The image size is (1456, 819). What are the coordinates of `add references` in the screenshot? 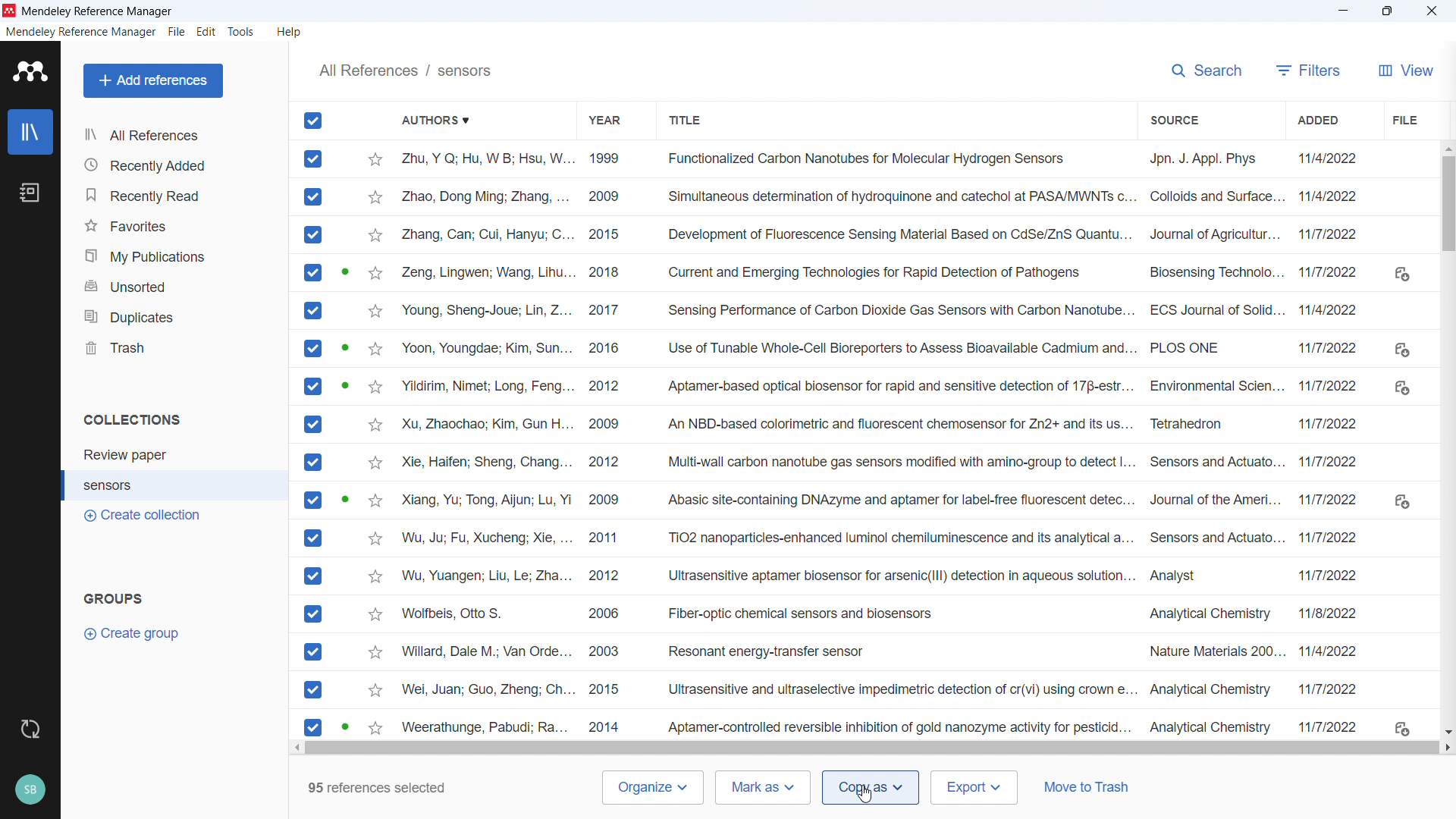 It's located at (154, 81).